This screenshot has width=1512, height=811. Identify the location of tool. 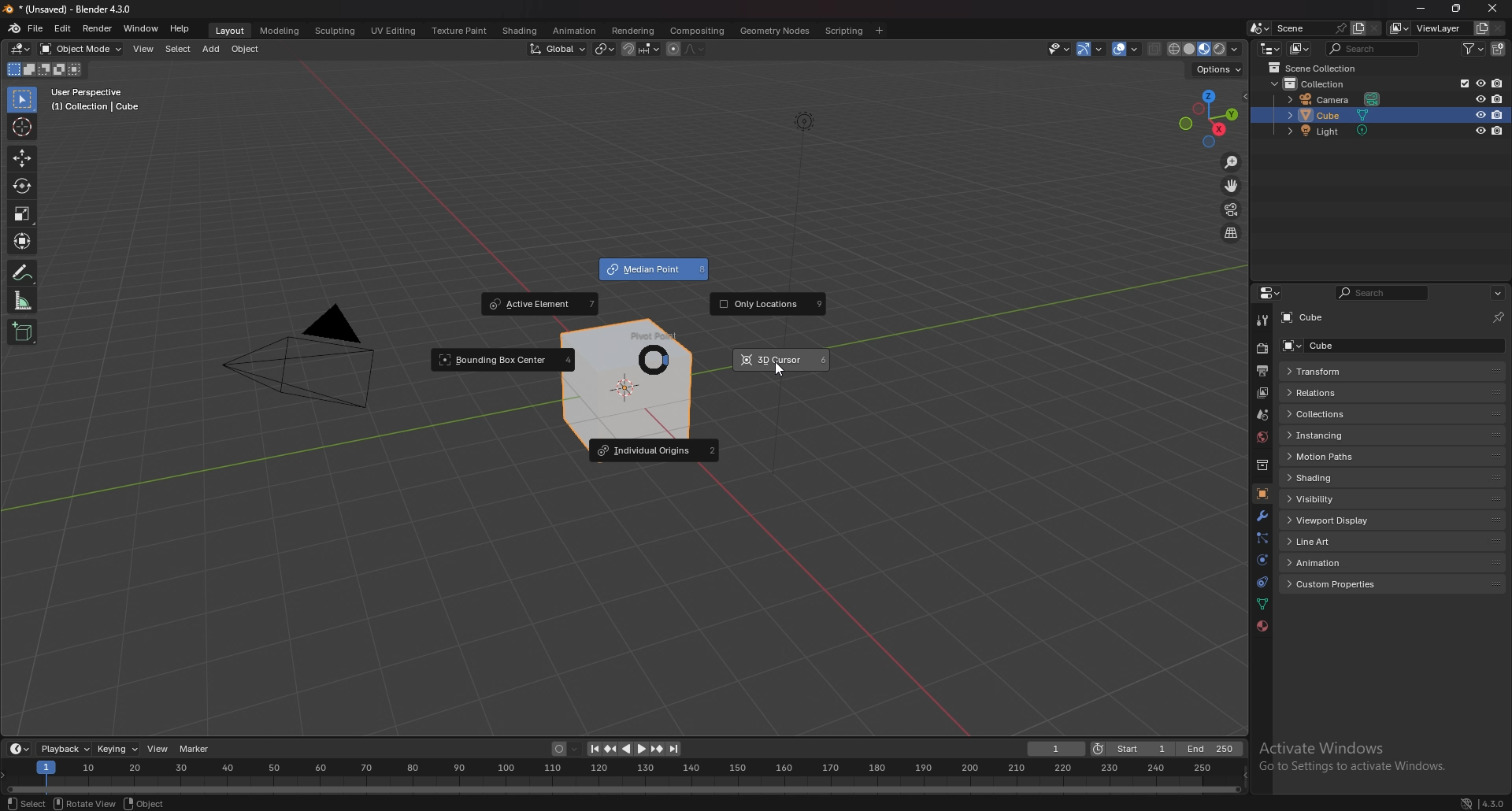
(1260, 322).